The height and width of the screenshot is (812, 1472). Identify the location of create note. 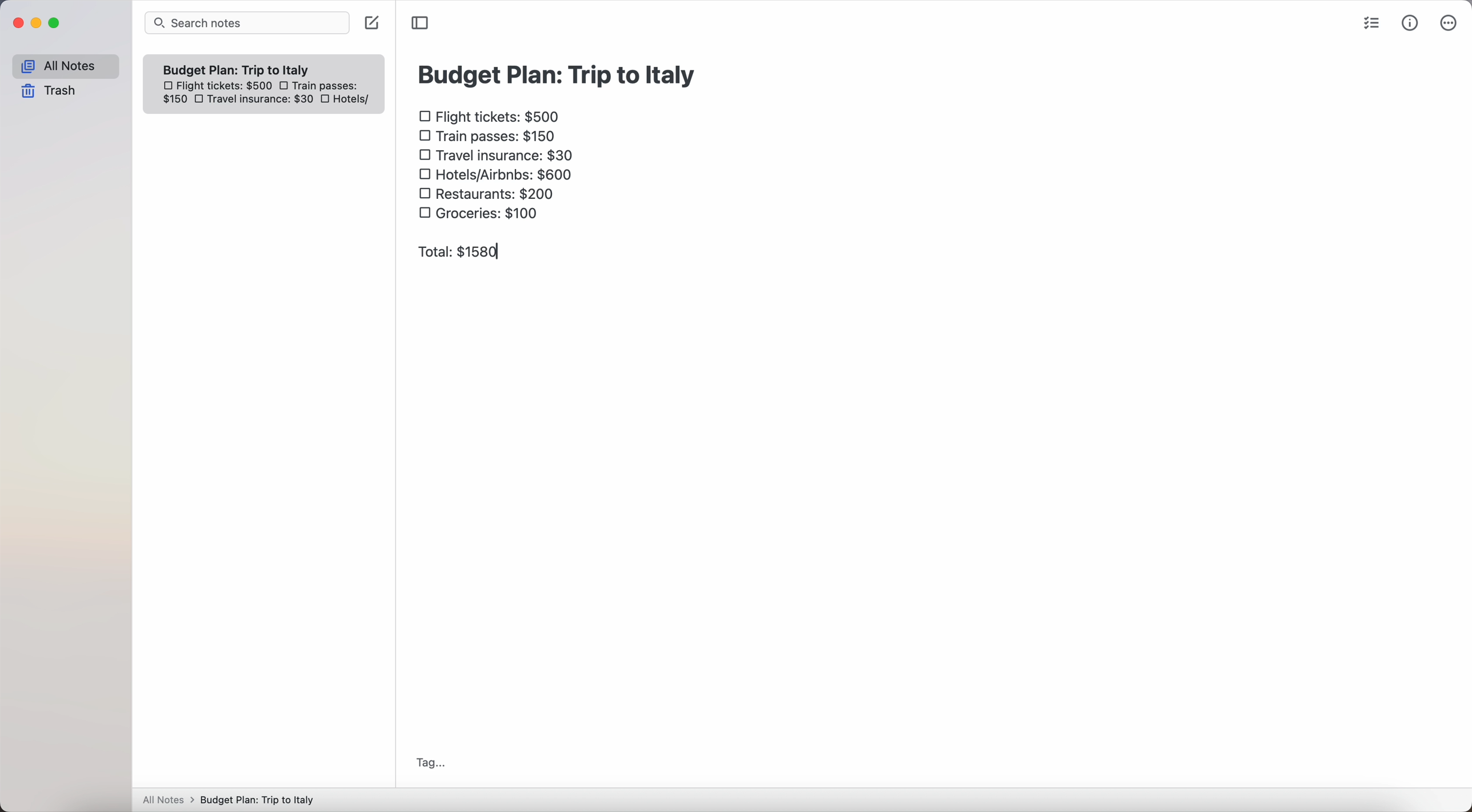
(371, 24).